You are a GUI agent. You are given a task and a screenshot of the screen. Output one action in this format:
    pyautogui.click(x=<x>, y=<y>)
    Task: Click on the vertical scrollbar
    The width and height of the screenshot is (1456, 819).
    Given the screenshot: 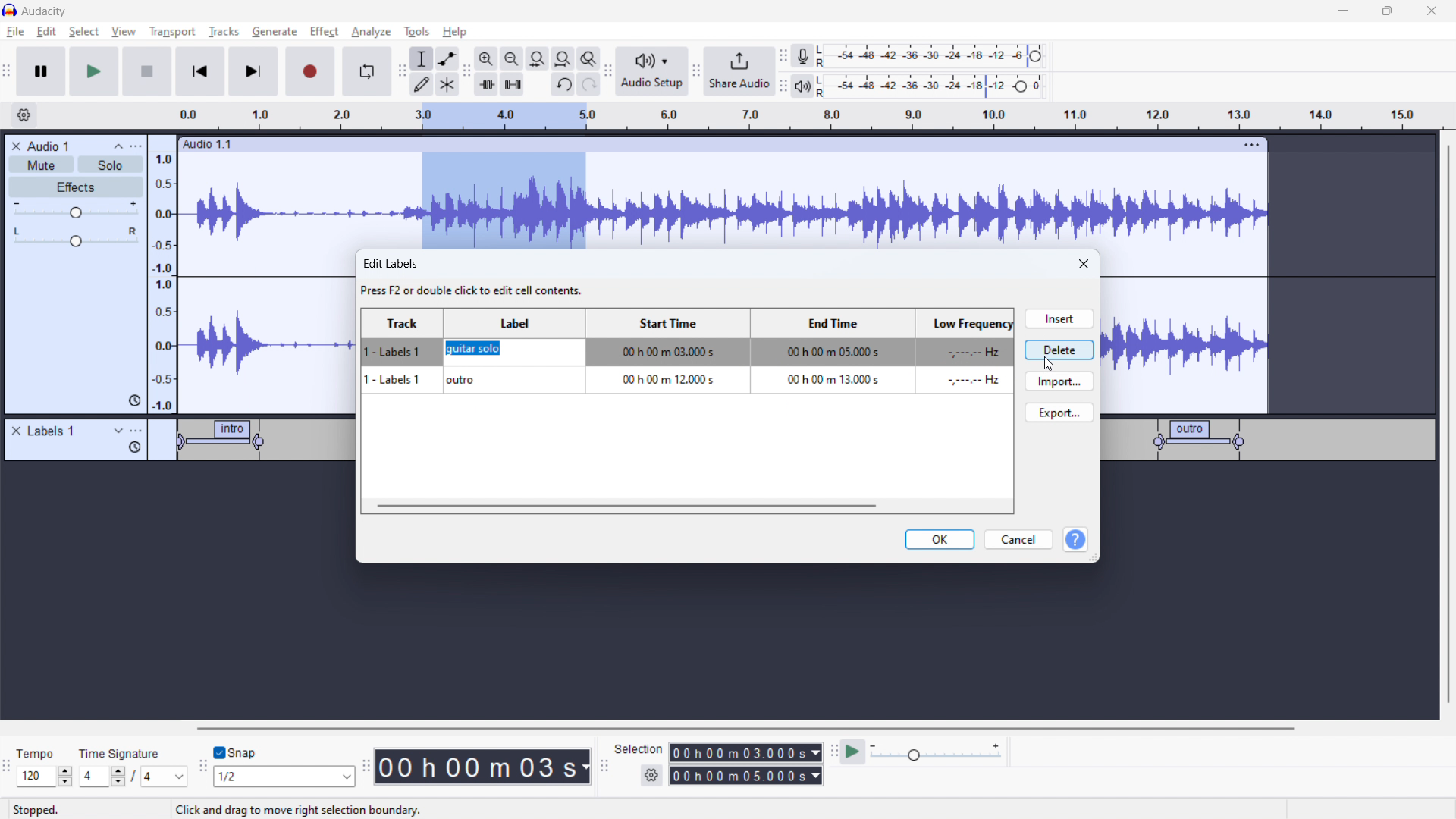 What is the action you would take?
    pyautogui.click(x=1446, y=426)
    